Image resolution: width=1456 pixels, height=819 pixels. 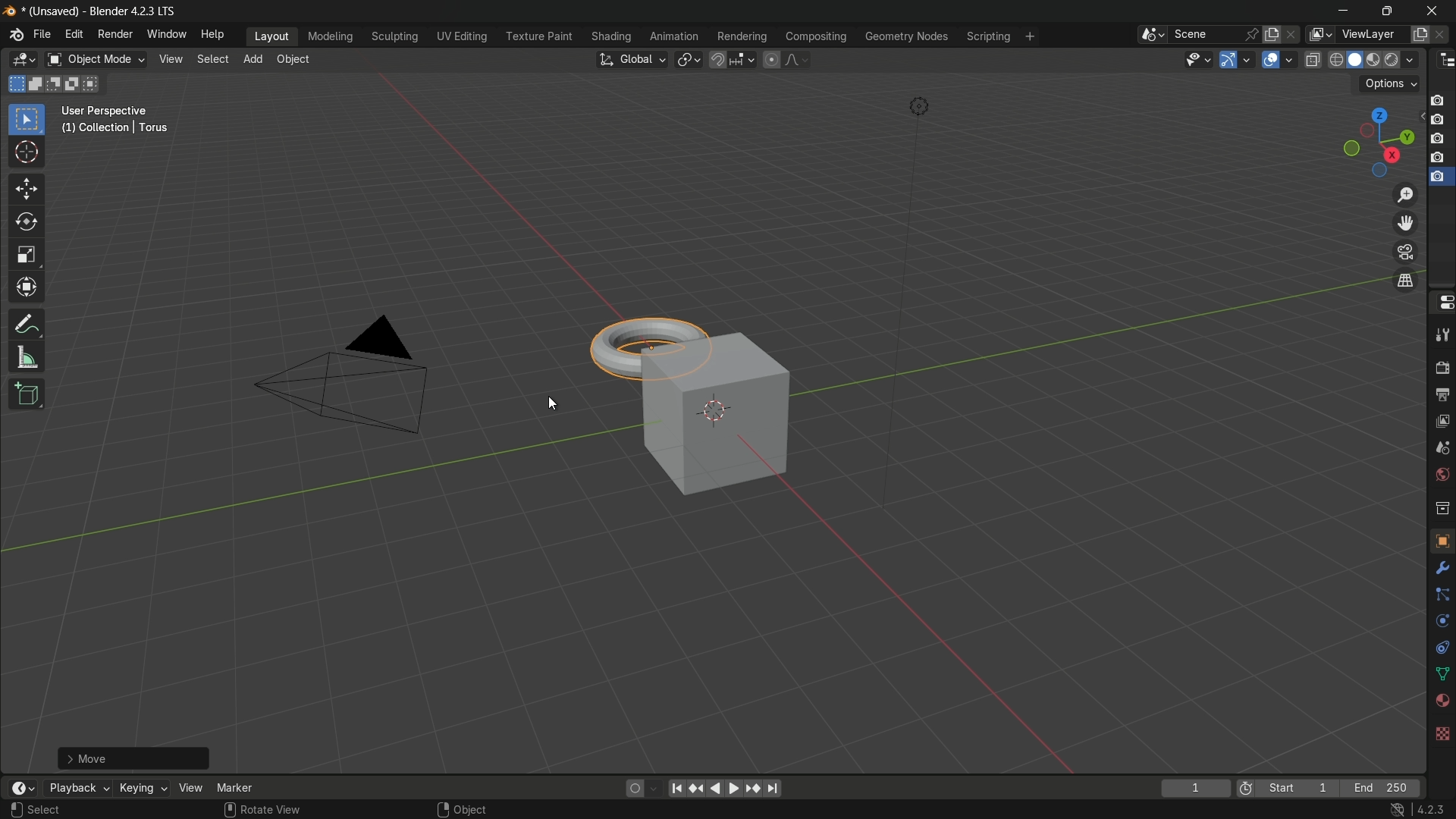 What do you see at coordinates (1442, 424) in the screenshot?
I see `view` at bounding box center [1442, 424].